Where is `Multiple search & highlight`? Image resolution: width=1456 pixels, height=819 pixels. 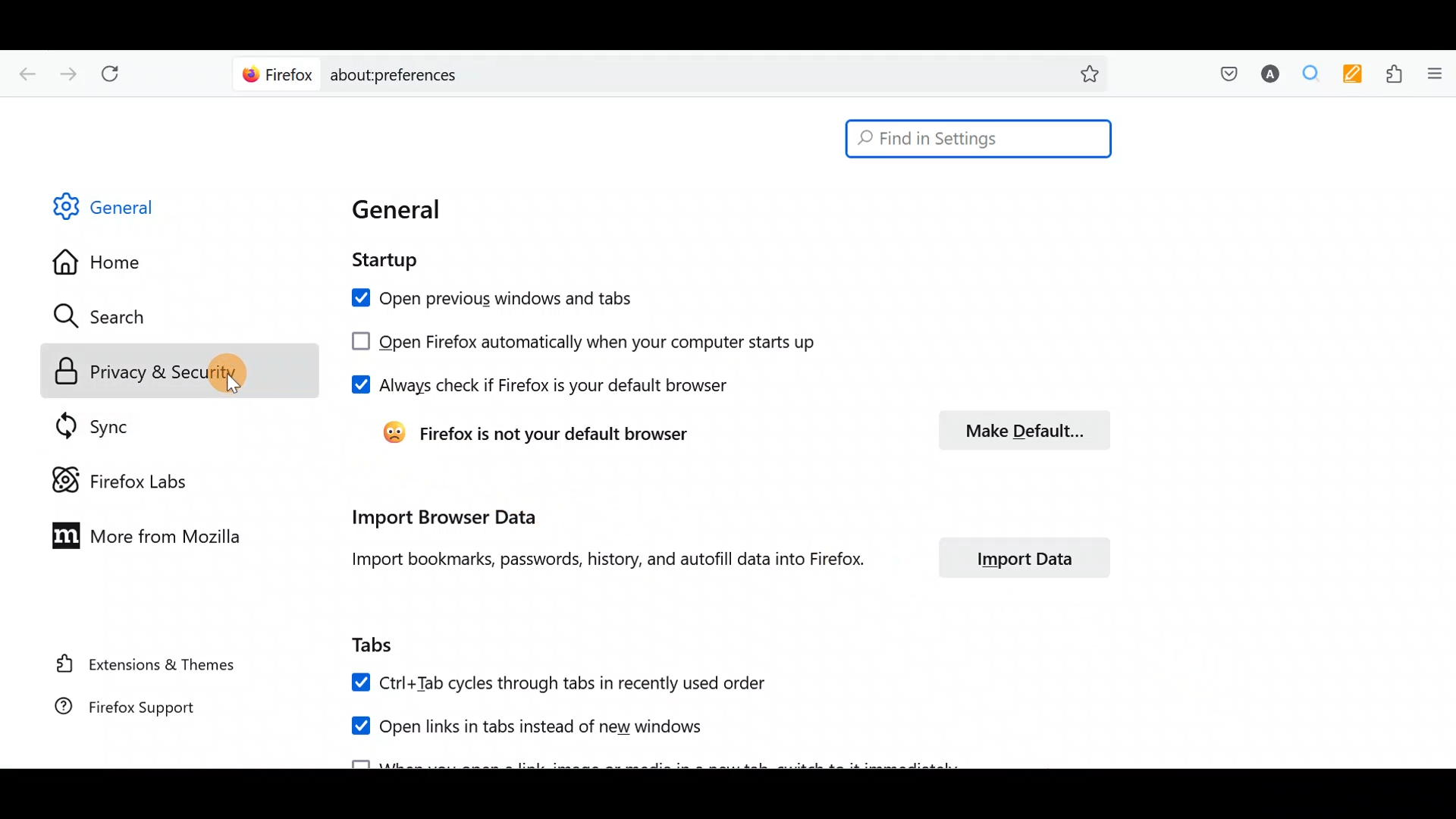
Multiple search & highlight is located at coordinates (1305, 75).